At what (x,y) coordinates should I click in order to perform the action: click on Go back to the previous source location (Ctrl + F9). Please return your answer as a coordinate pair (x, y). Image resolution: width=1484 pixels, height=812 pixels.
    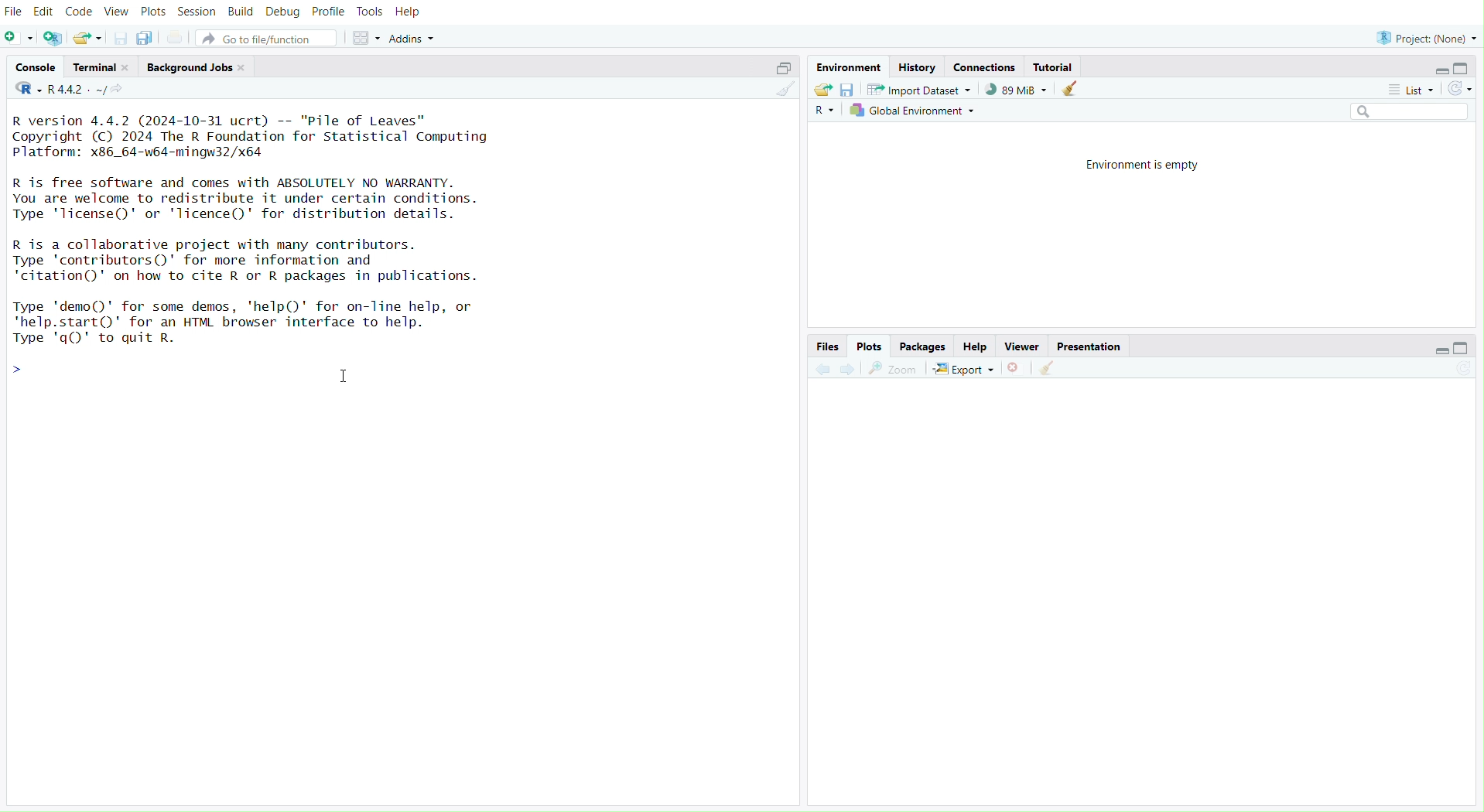
    Looking at the image, I should click on (822, 369).